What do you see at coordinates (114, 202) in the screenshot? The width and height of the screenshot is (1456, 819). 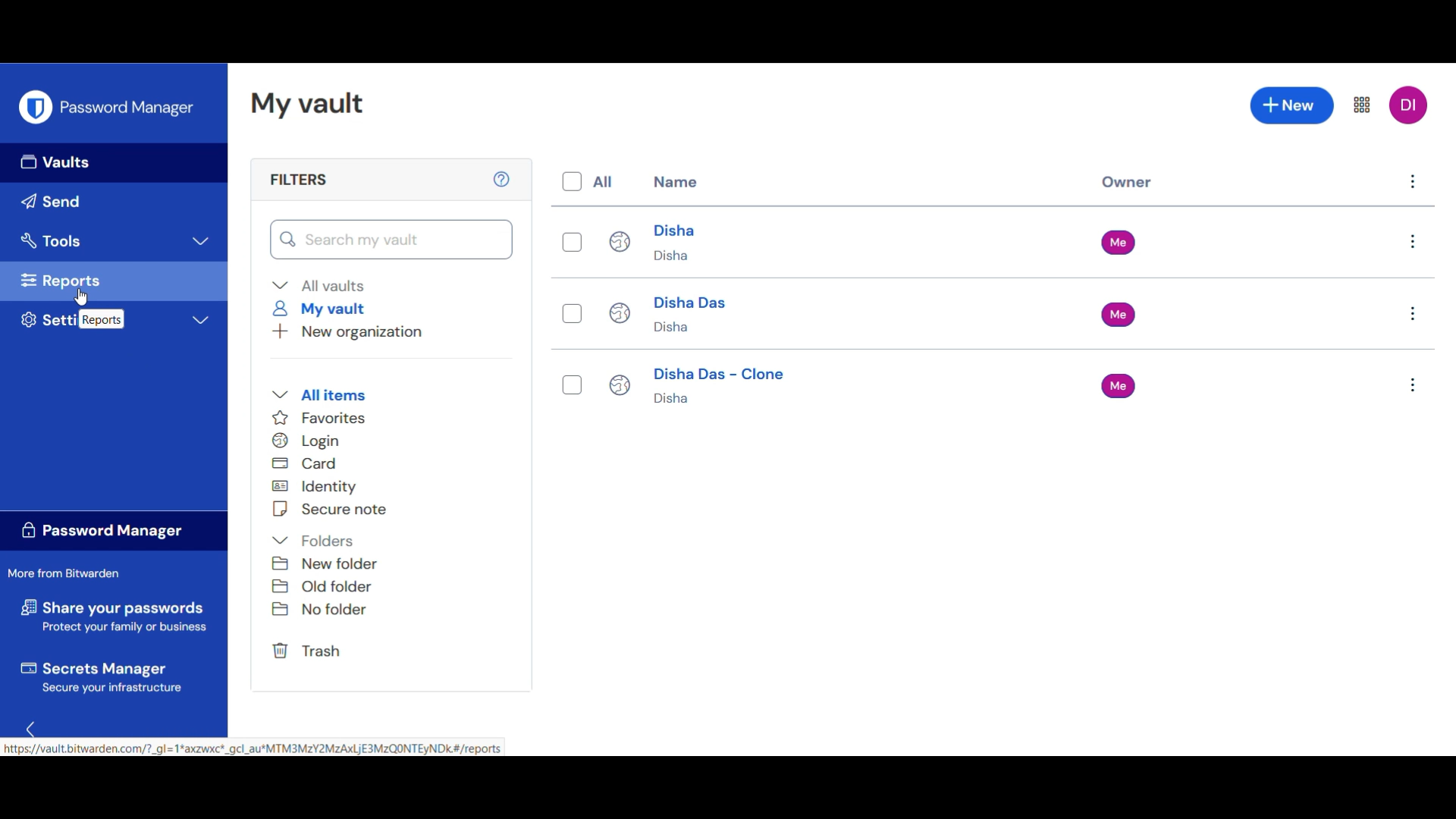 I see `Send` at bounding box center [114, 202].